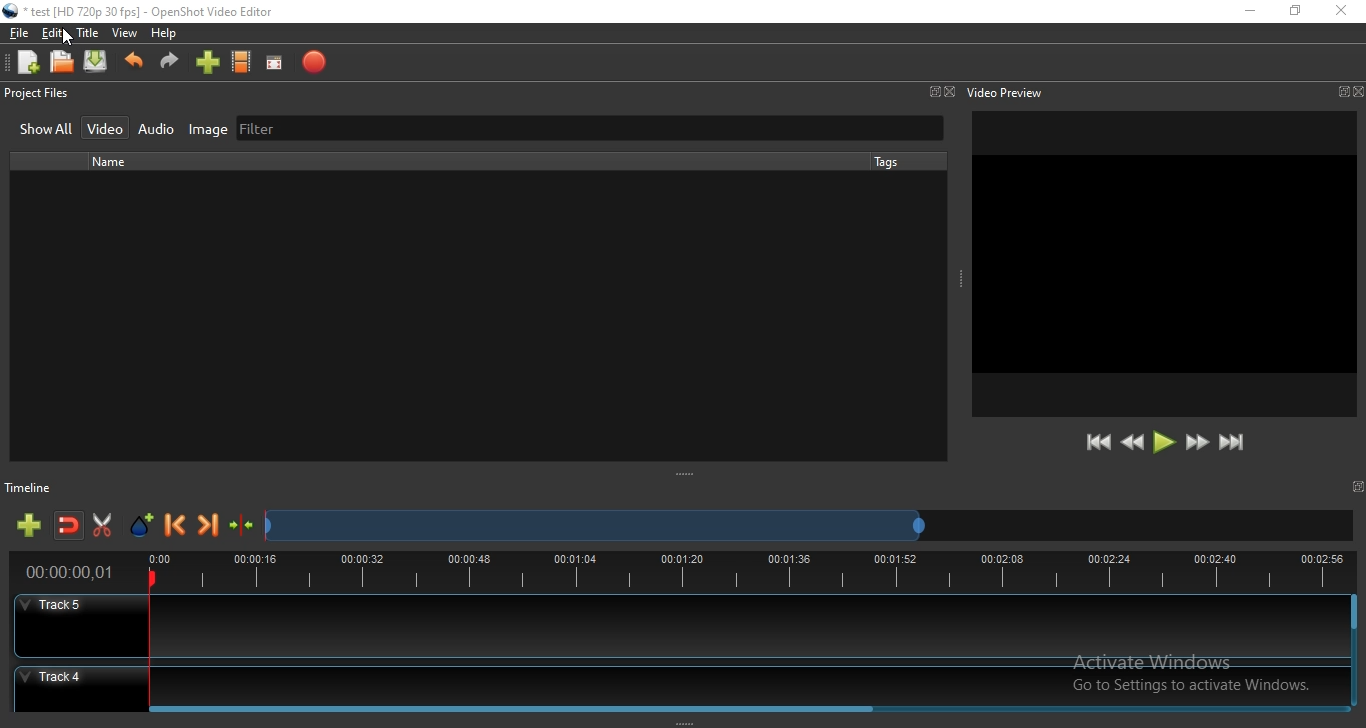 The height and width of the screenshot is (728, 1366). I want to click on Track, so click(679, 628).